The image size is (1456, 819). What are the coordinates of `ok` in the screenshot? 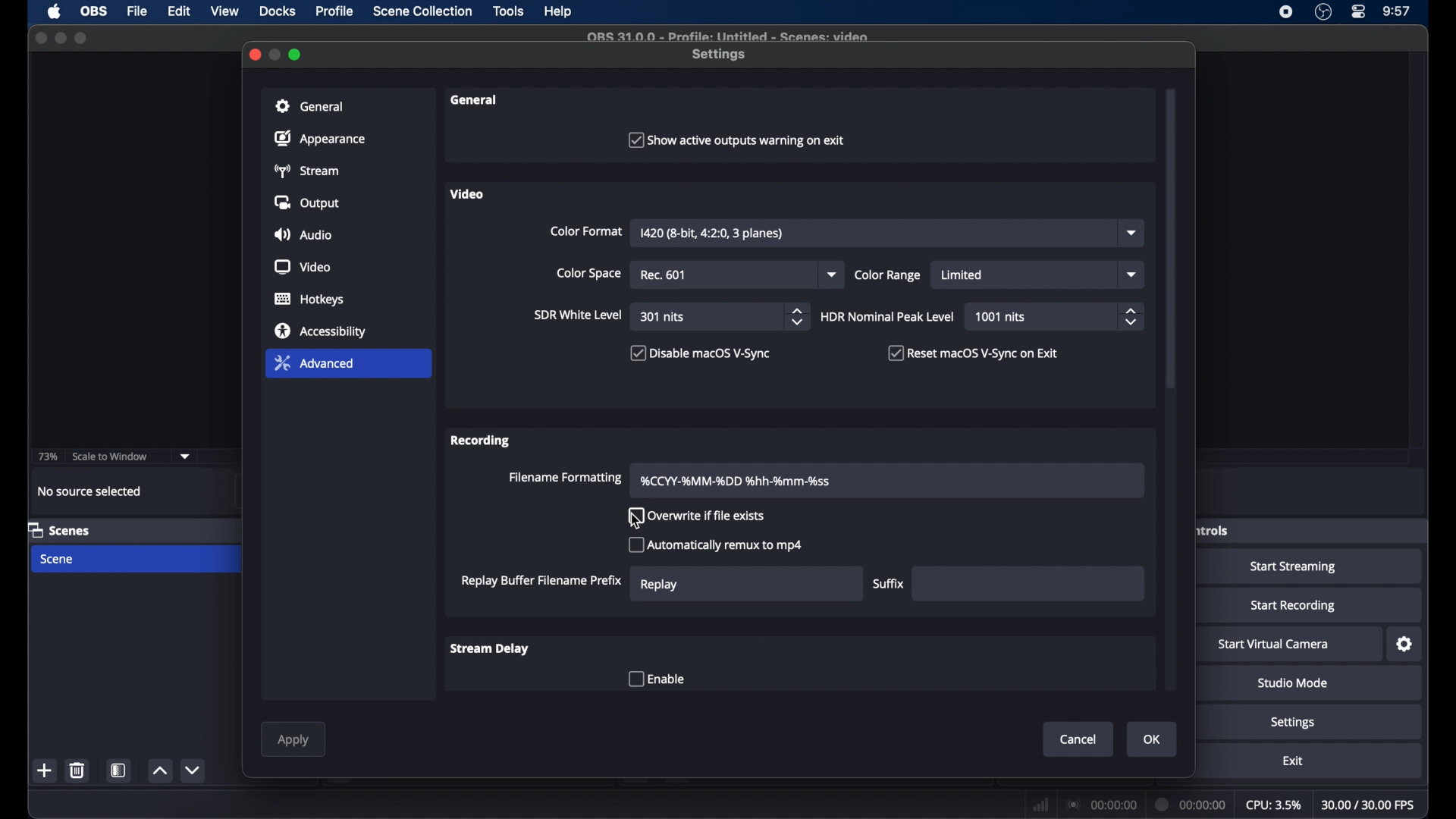 It's located at (1153, 740).